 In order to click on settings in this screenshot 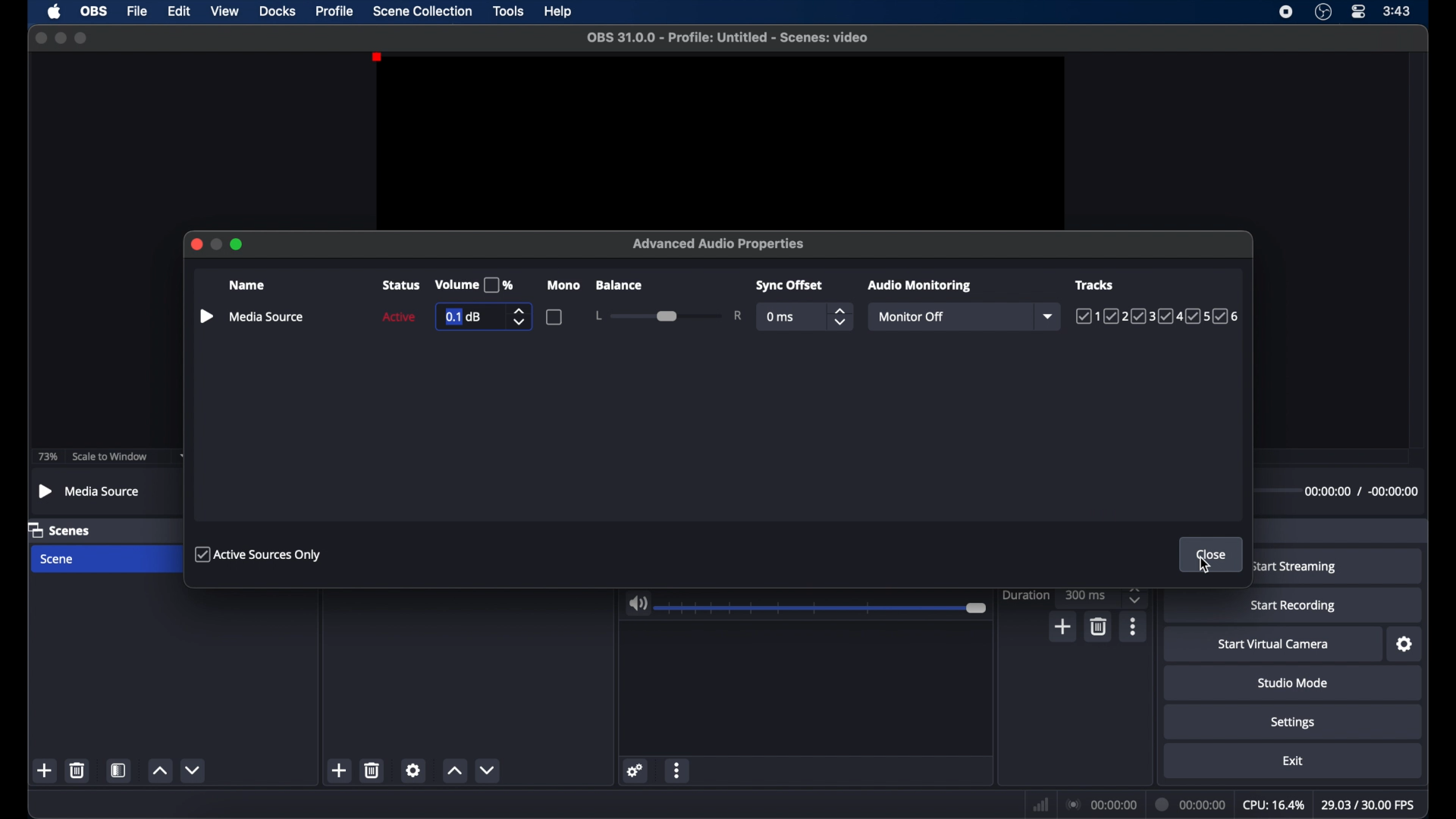, I will do `click(1294, 723)`.